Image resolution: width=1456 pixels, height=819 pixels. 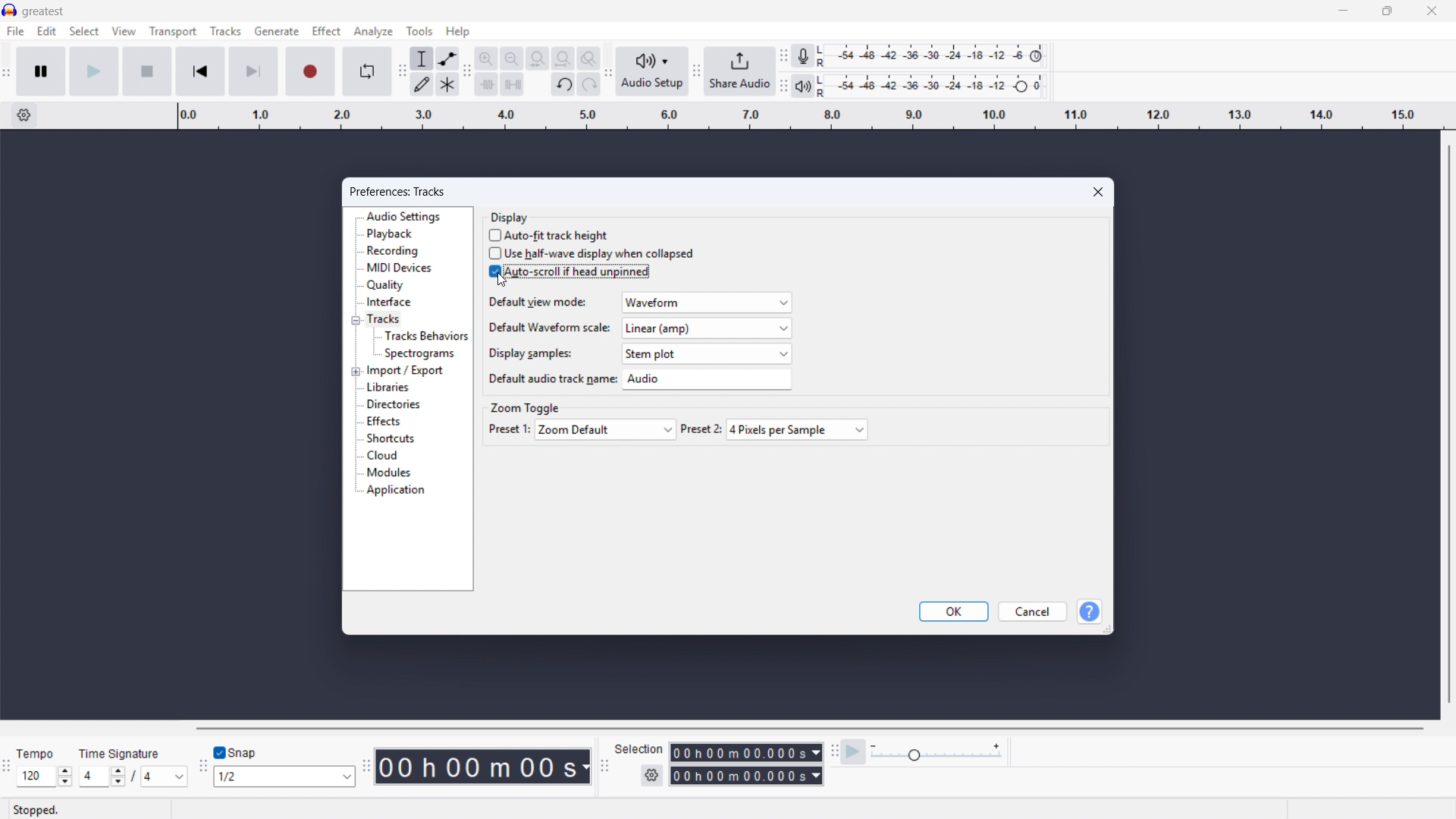 I want to click on Go to start, so click(x=201, y=71).